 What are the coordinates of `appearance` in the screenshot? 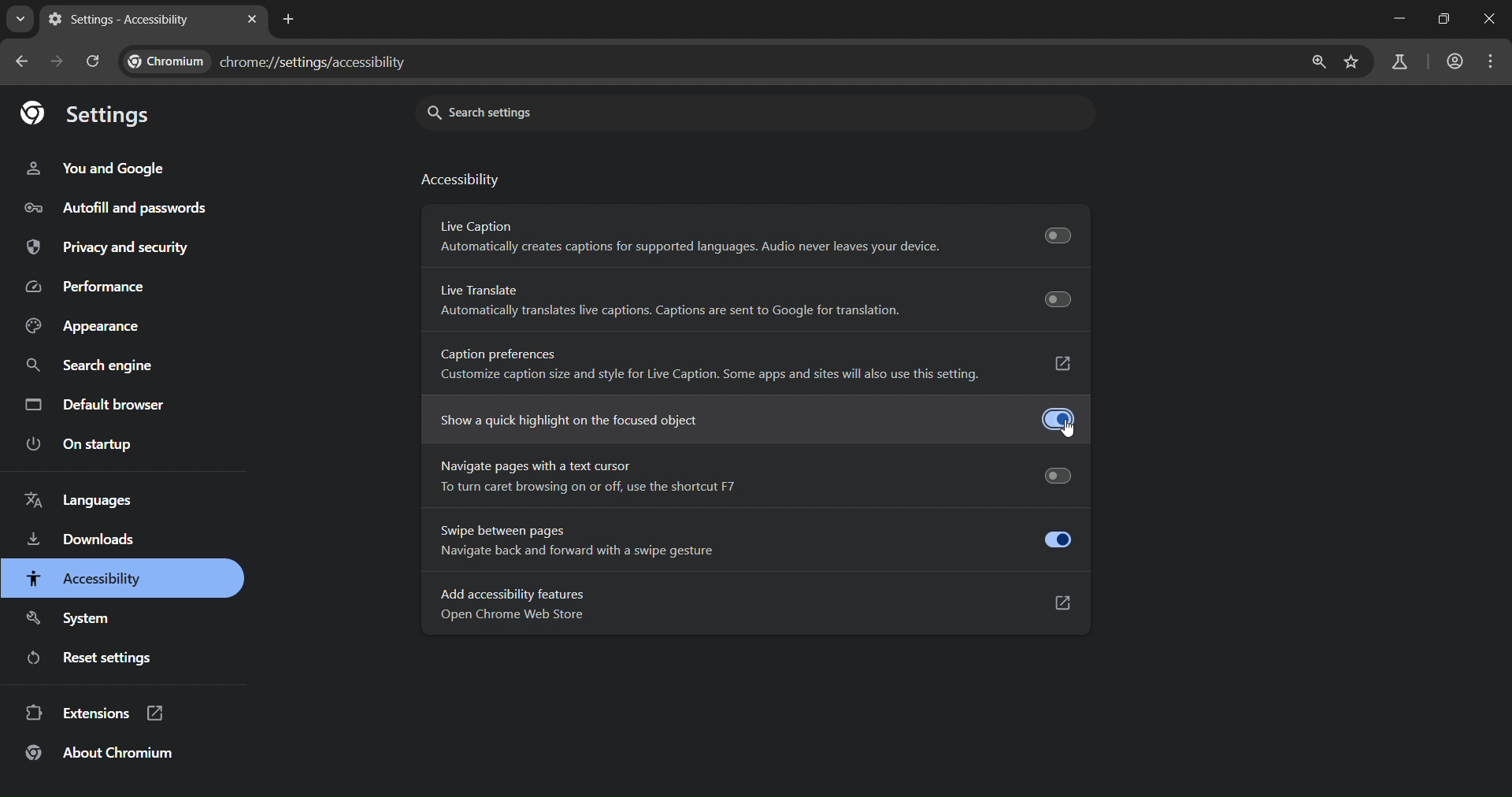 It's located at (83, 326).